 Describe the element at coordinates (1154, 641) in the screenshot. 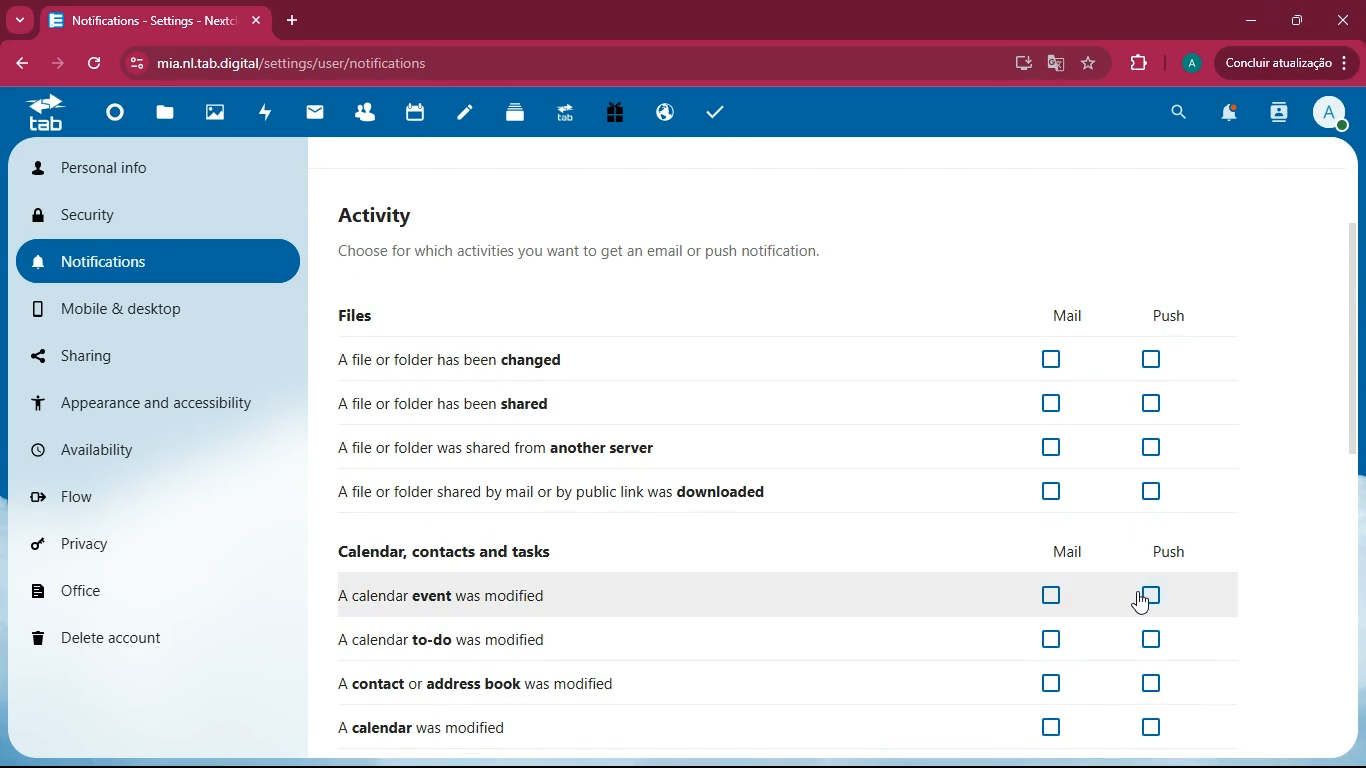

I see `off` at that location.